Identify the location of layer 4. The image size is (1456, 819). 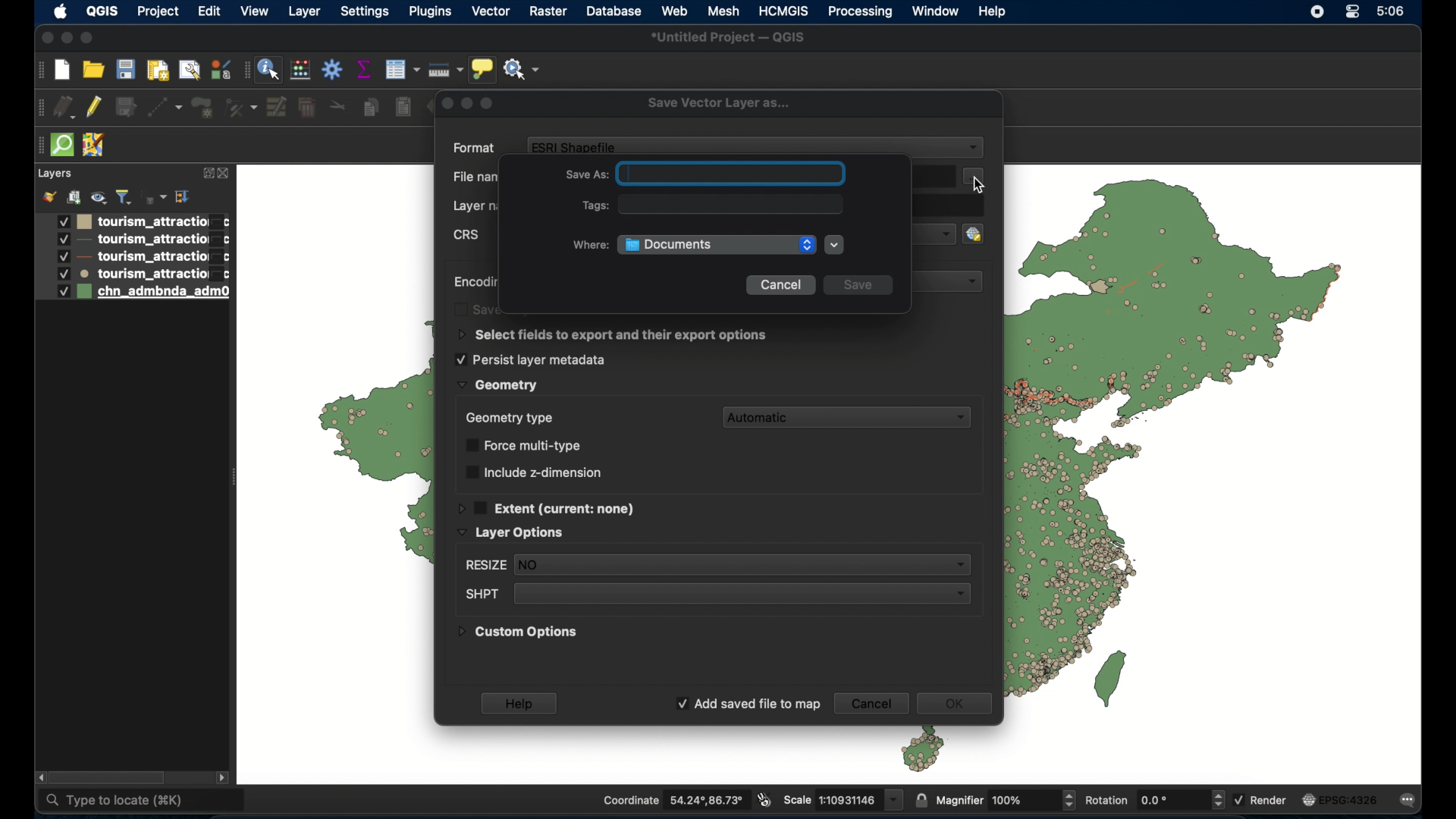
(133, 274).